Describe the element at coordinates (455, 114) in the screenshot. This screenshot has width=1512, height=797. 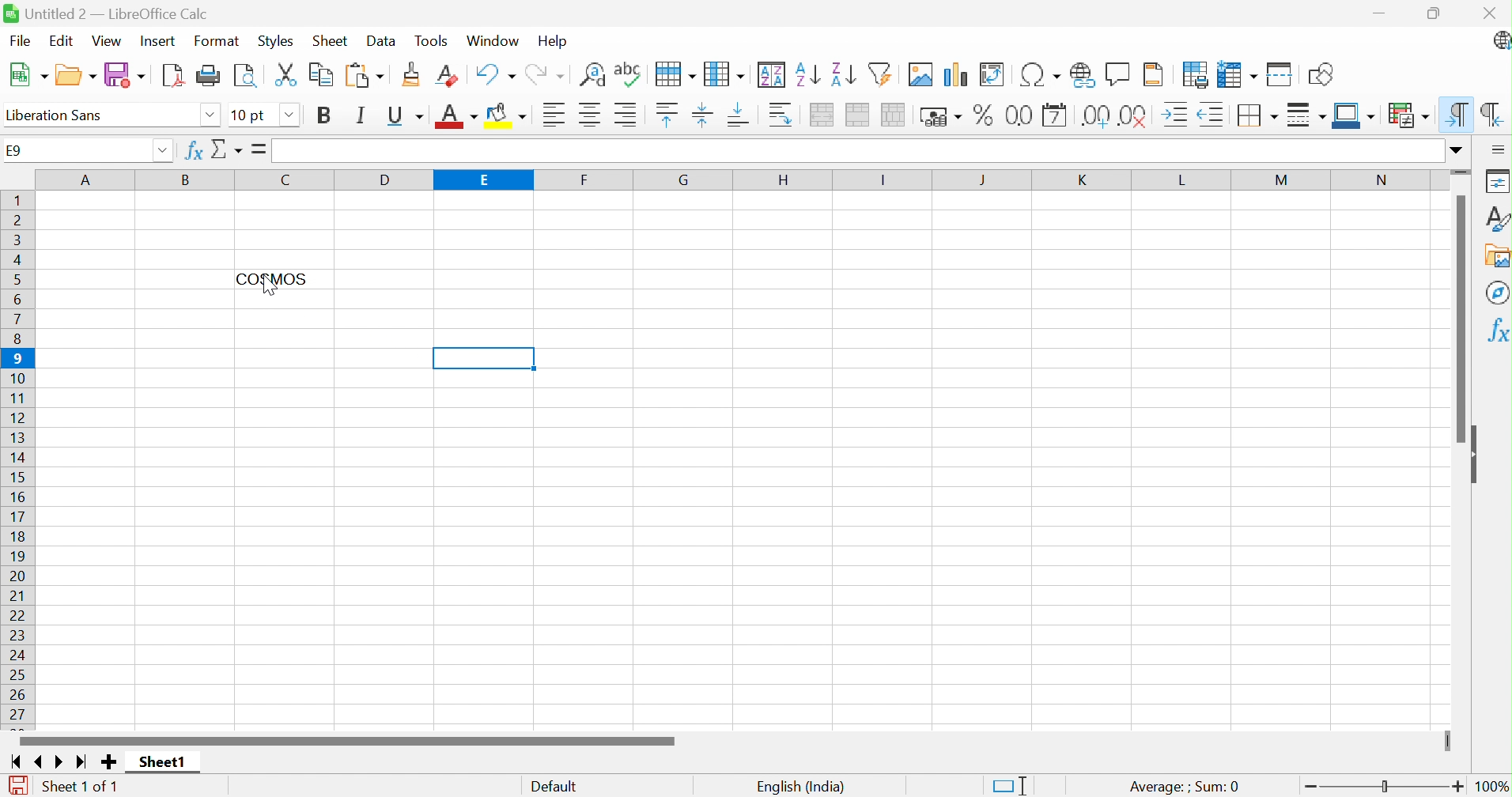
I see `Font color` at that location.